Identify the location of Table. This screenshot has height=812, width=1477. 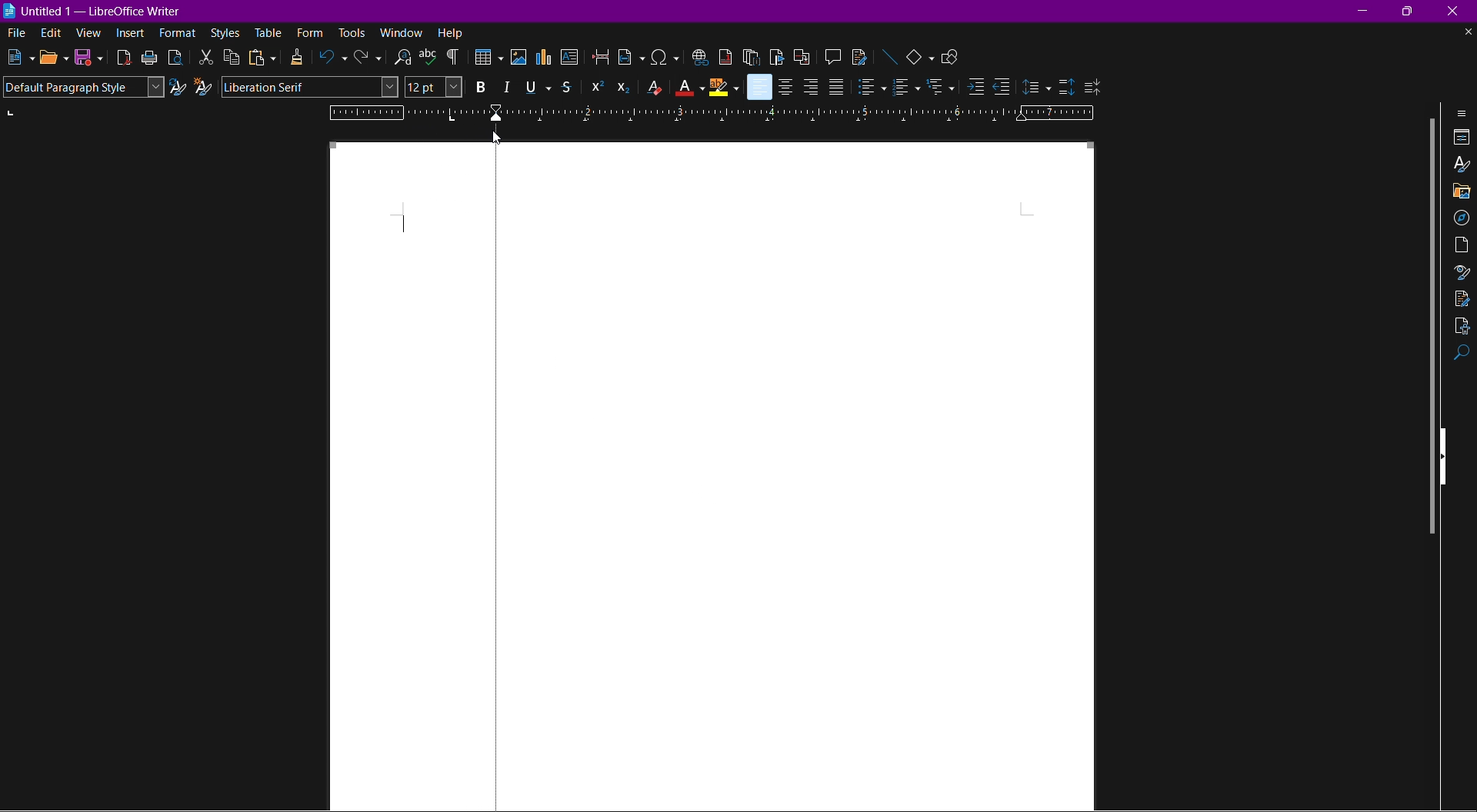
(487, 58).